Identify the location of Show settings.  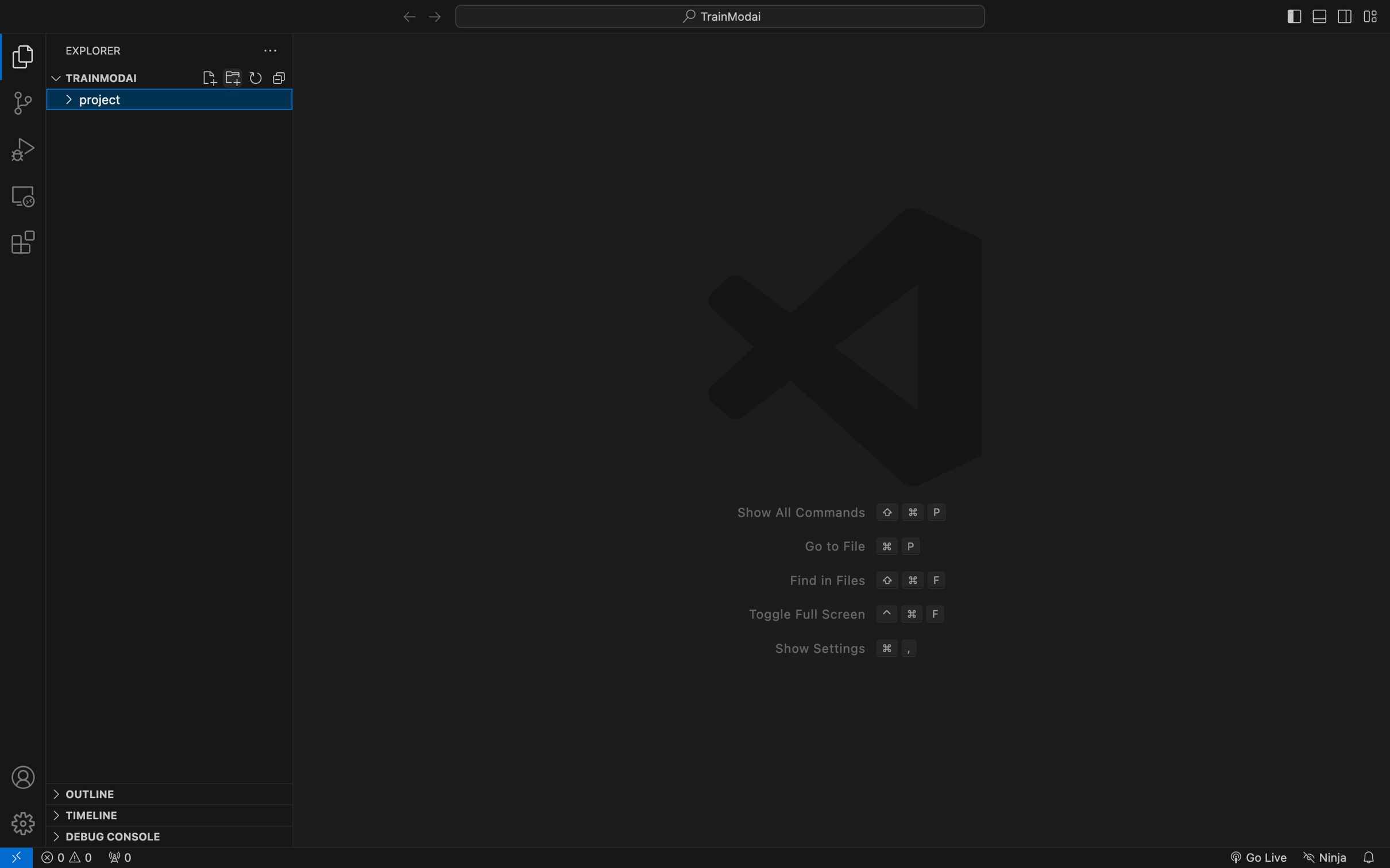
(839, 649).